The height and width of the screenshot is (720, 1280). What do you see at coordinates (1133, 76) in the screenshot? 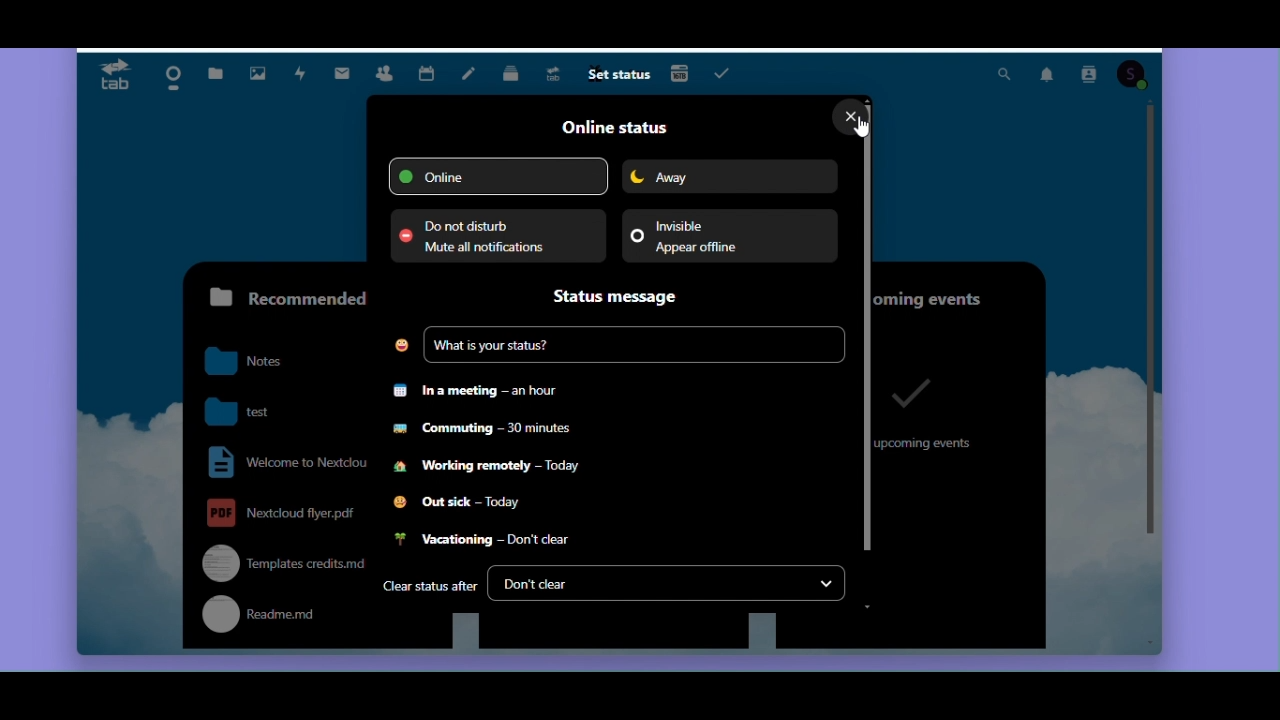
I see `Account icon` at bounding box center [1133, 76].